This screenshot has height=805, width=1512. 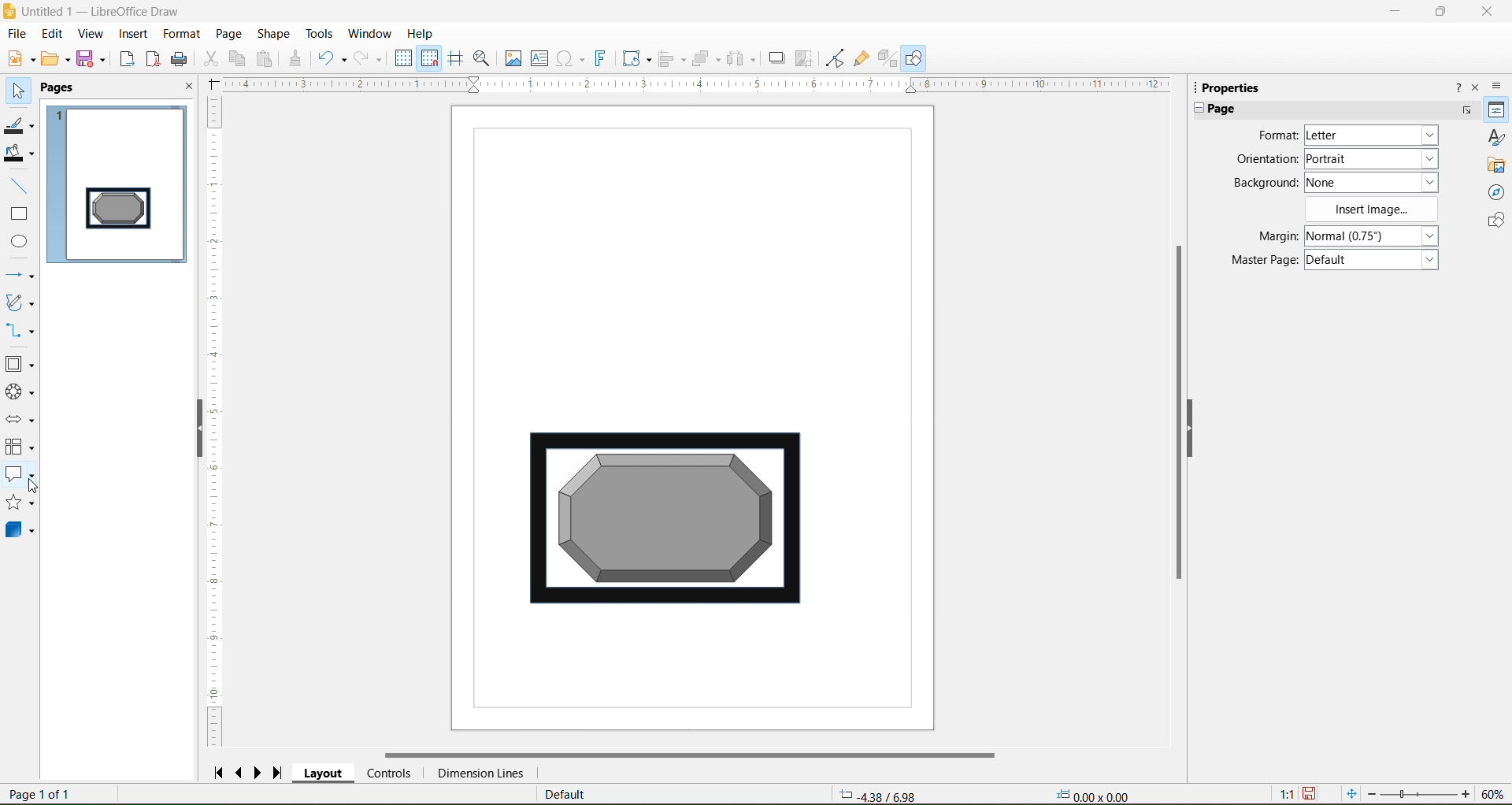 I want to click on Save, so click(x=94, y=61).